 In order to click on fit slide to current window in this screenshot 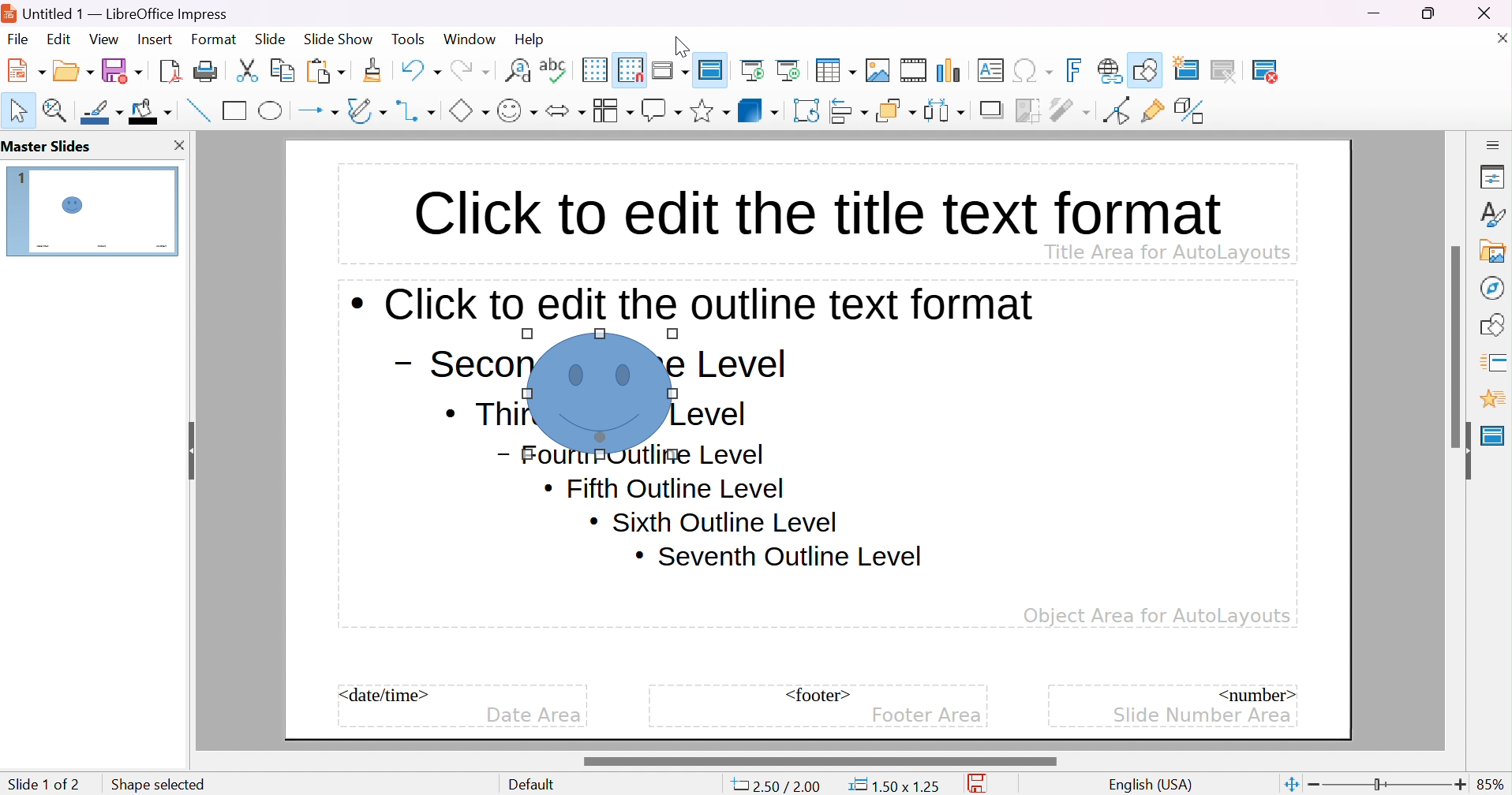, I will do `click(1290, 783)`.